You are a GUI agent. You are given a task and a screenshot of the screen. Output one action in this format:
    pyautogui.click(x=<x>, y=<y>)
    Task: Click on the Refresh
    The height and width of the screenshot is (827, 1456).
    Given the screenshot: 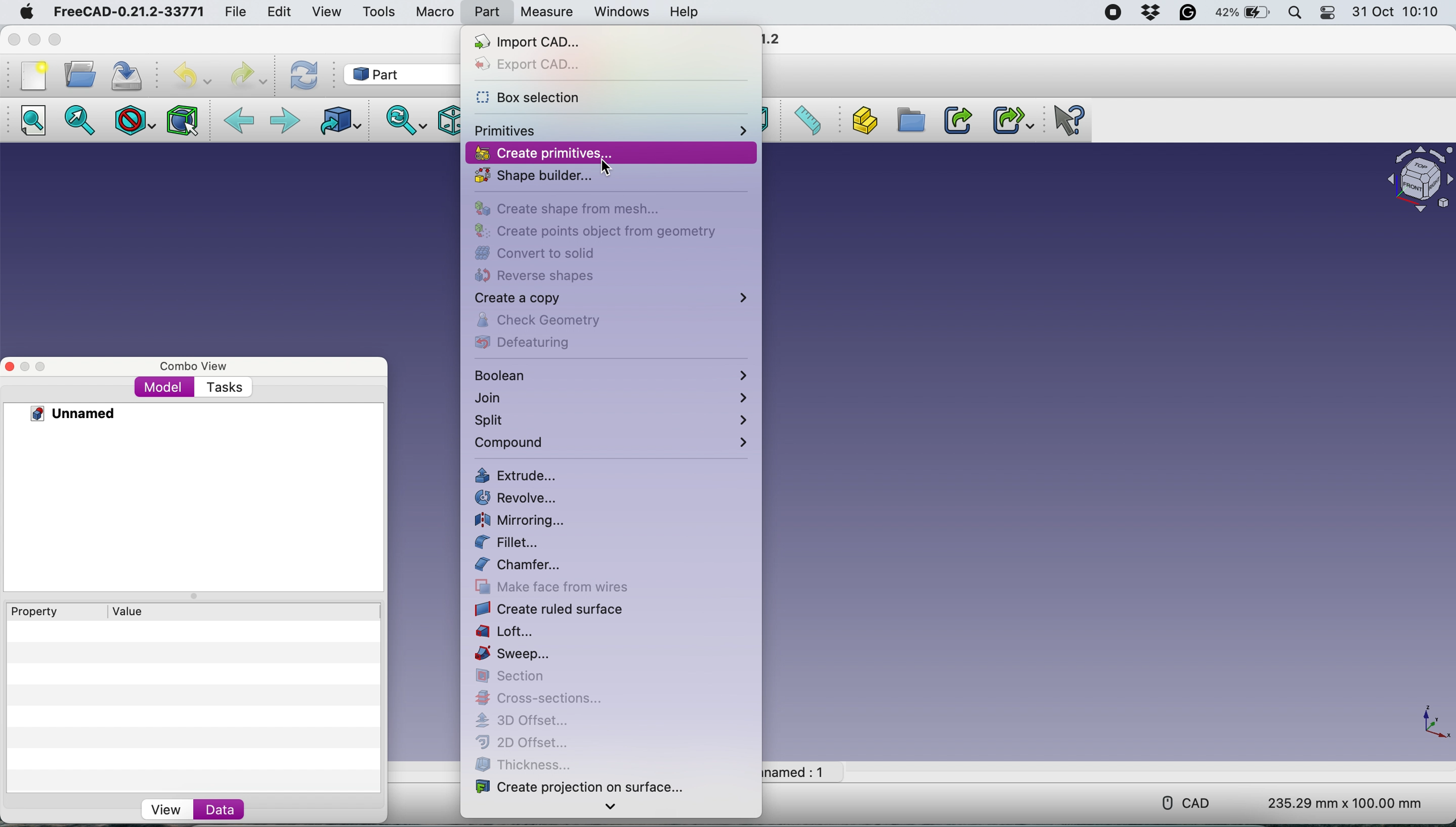 What is the action you would take?
    pyautogui.click(x=304, y=76)
    